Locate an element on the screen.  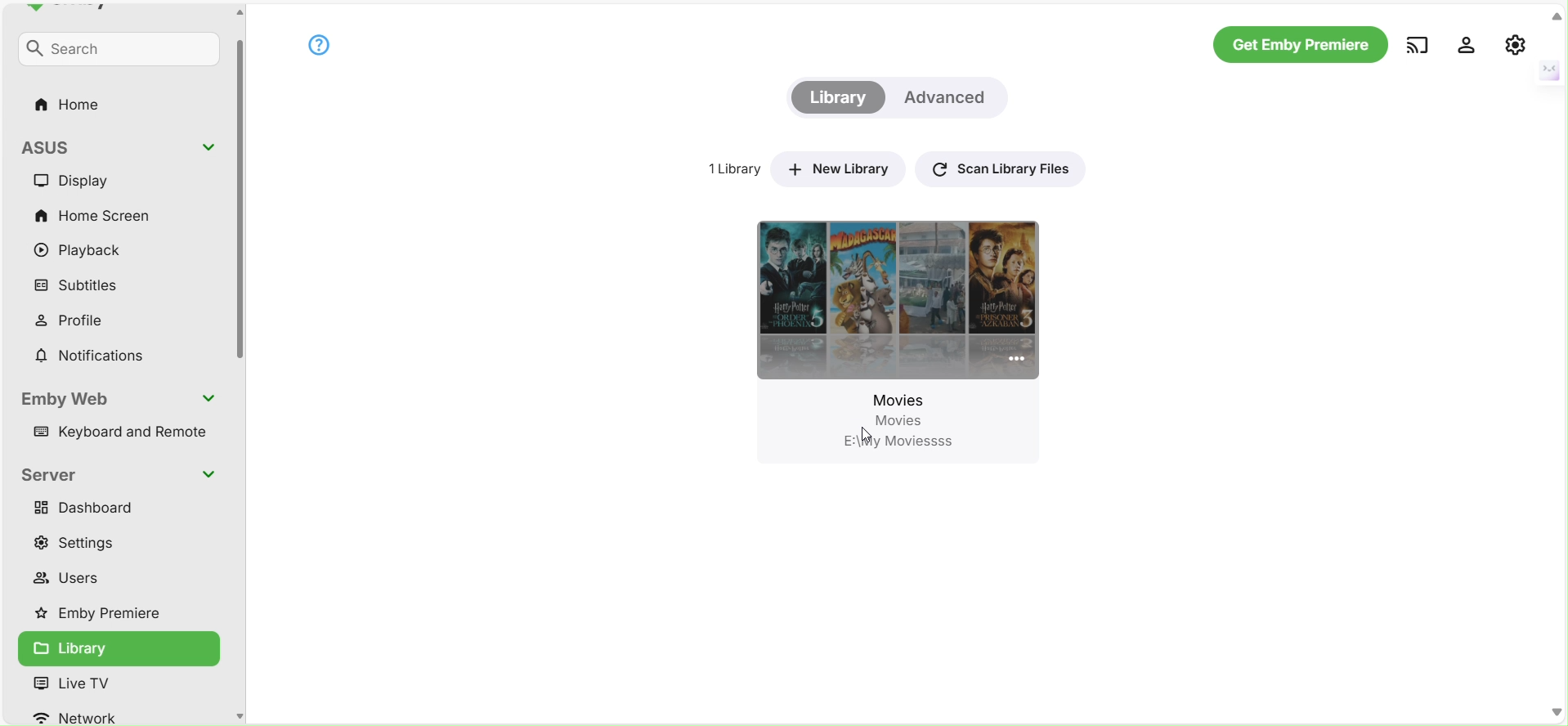
Collapse Section is located at coordinates (208, 476).